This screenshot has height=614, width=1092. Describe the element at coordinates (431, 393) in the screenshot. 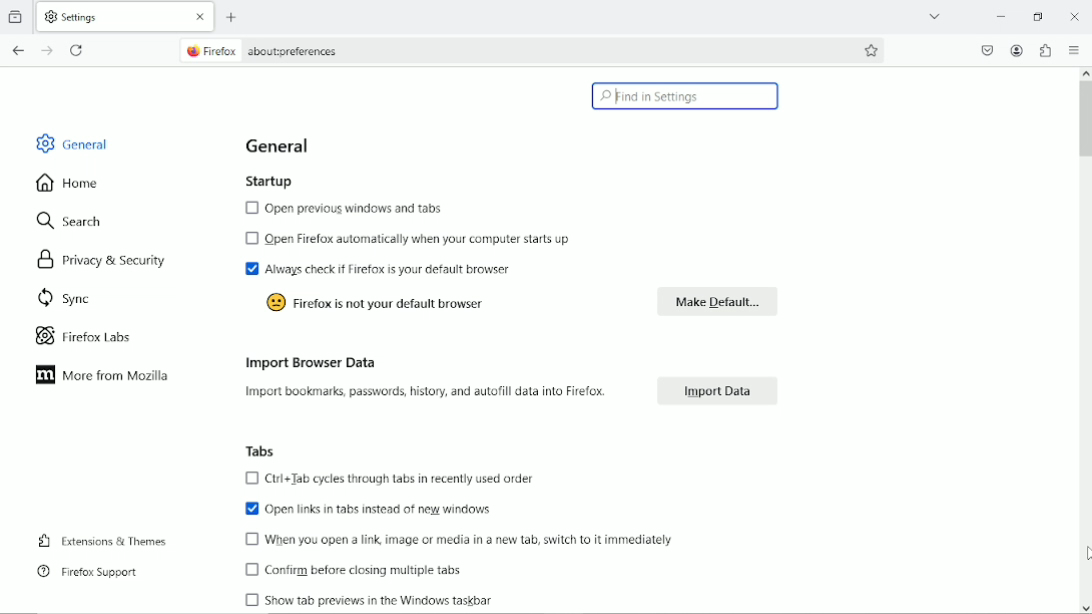

I see `Import bookmarks, passwords, history and autofill data into firefox ` at that location.